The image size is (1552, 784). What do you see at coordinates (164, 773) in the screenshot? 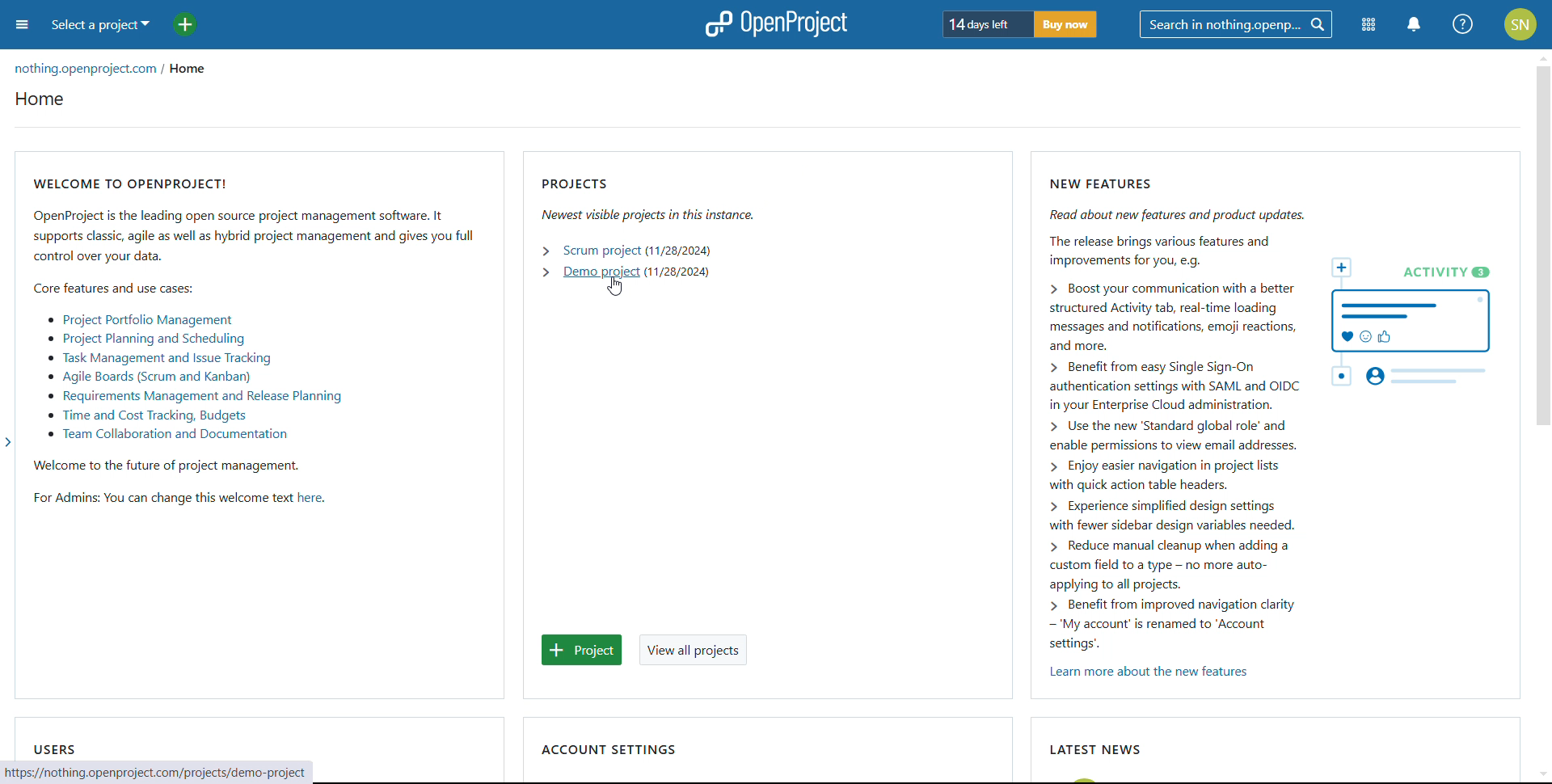
I see `web address` at bounding box center [164, 773].